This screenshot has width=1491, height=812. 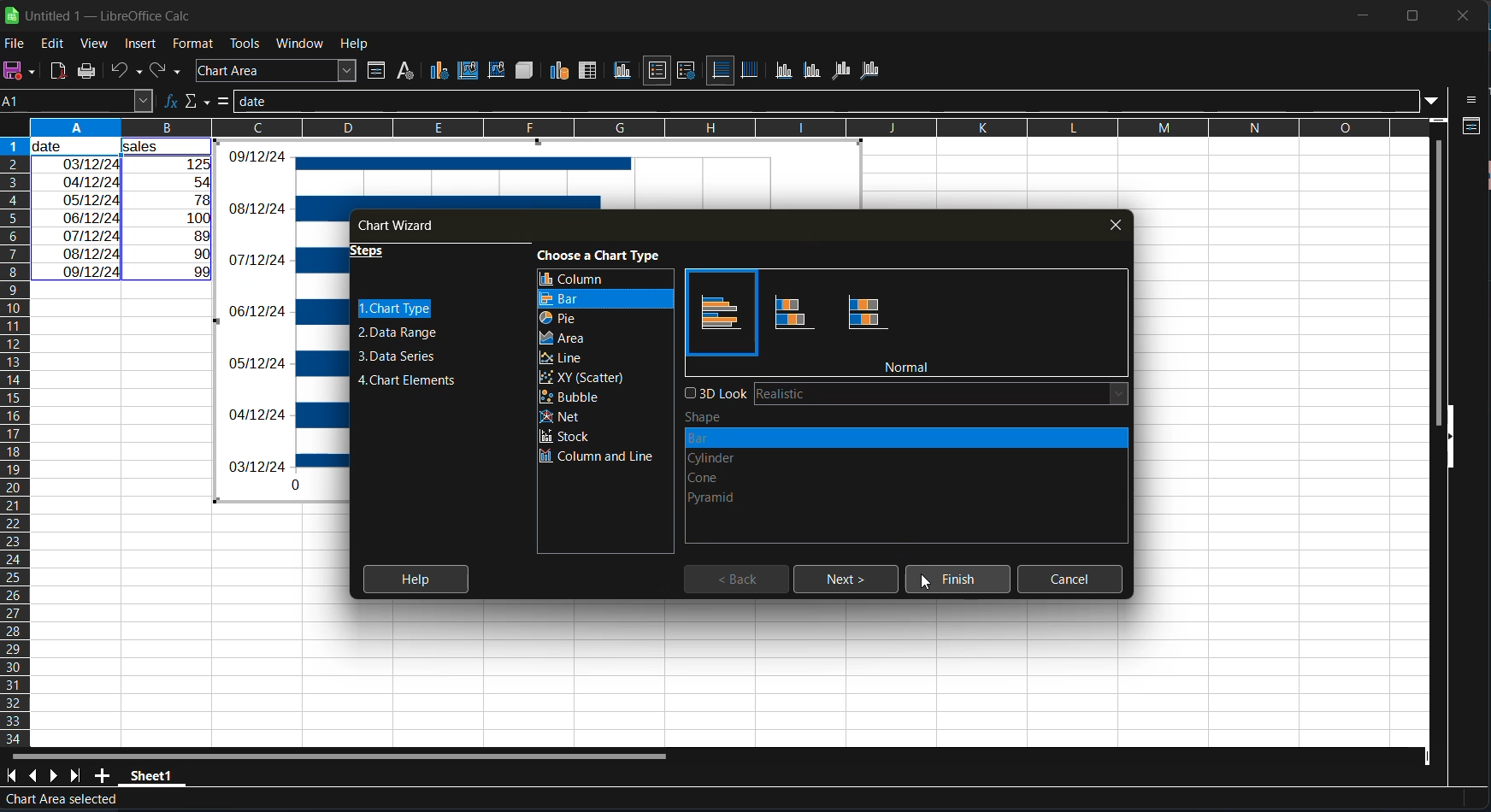 What do you see at coordinates (286, 321) in the screenshot?
I see `generated graph` at bounding box center [286, 321].